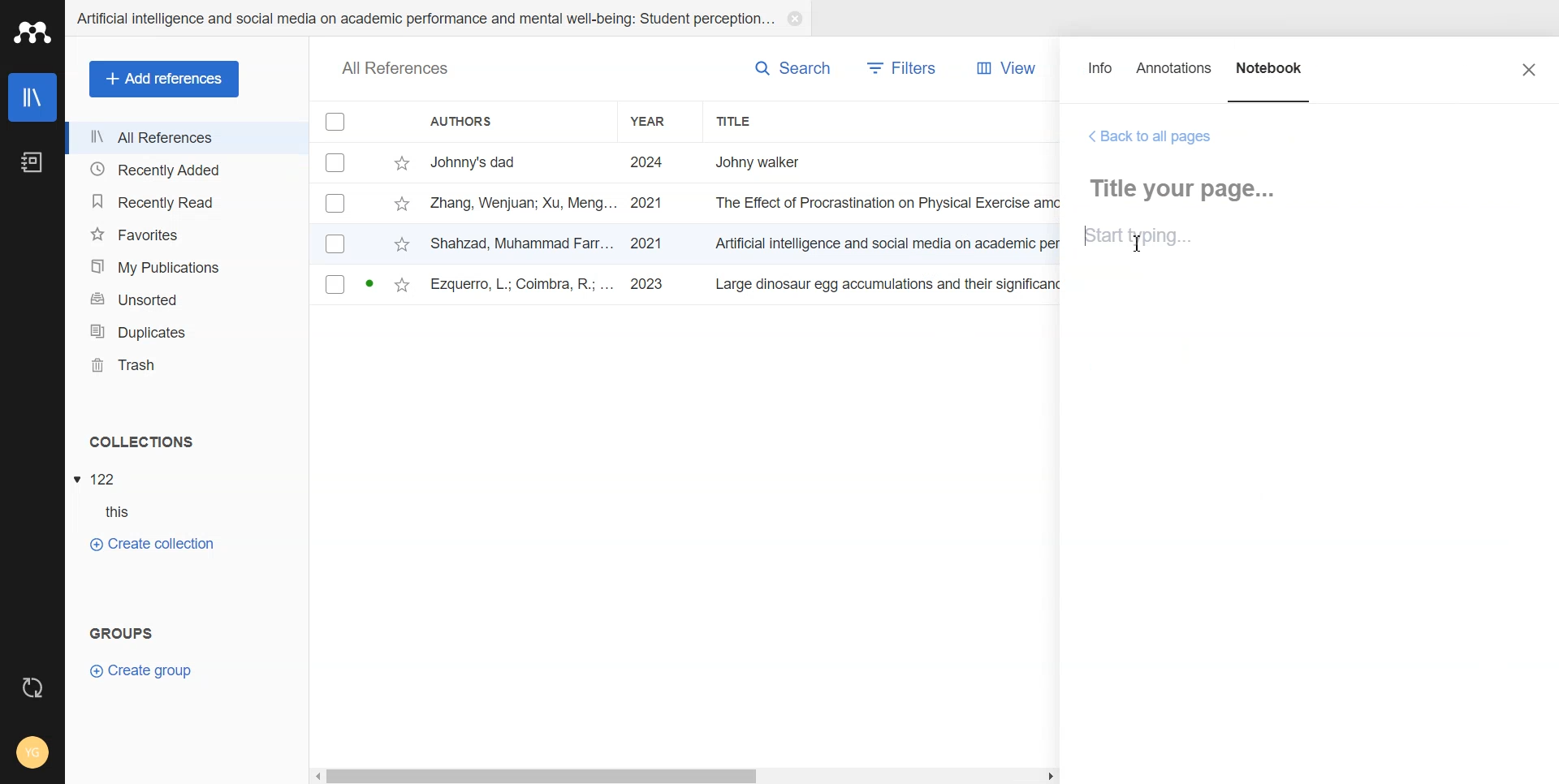 The image size is (1559, 784). What do you see at coordinates (647, 204) in the screenshot?
I see `2021` at bounding box center [647, 204].